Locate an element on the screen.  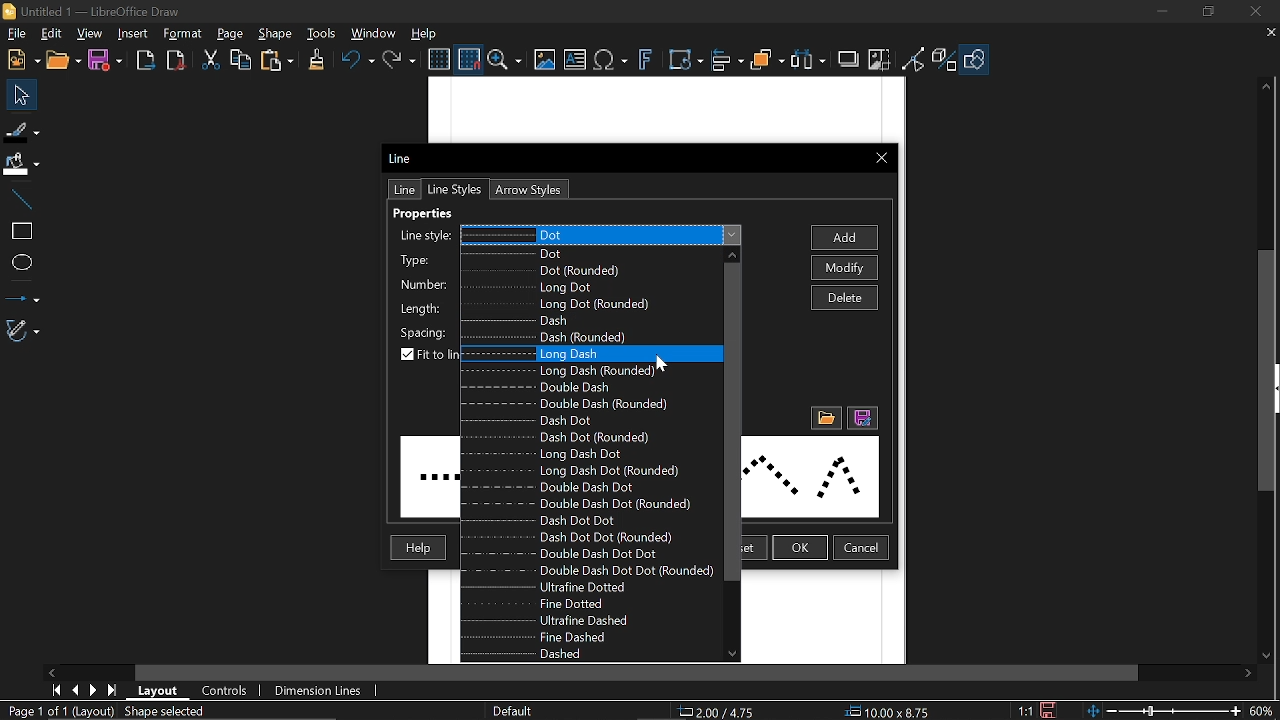
Type: is located at coordinates (417, 260).